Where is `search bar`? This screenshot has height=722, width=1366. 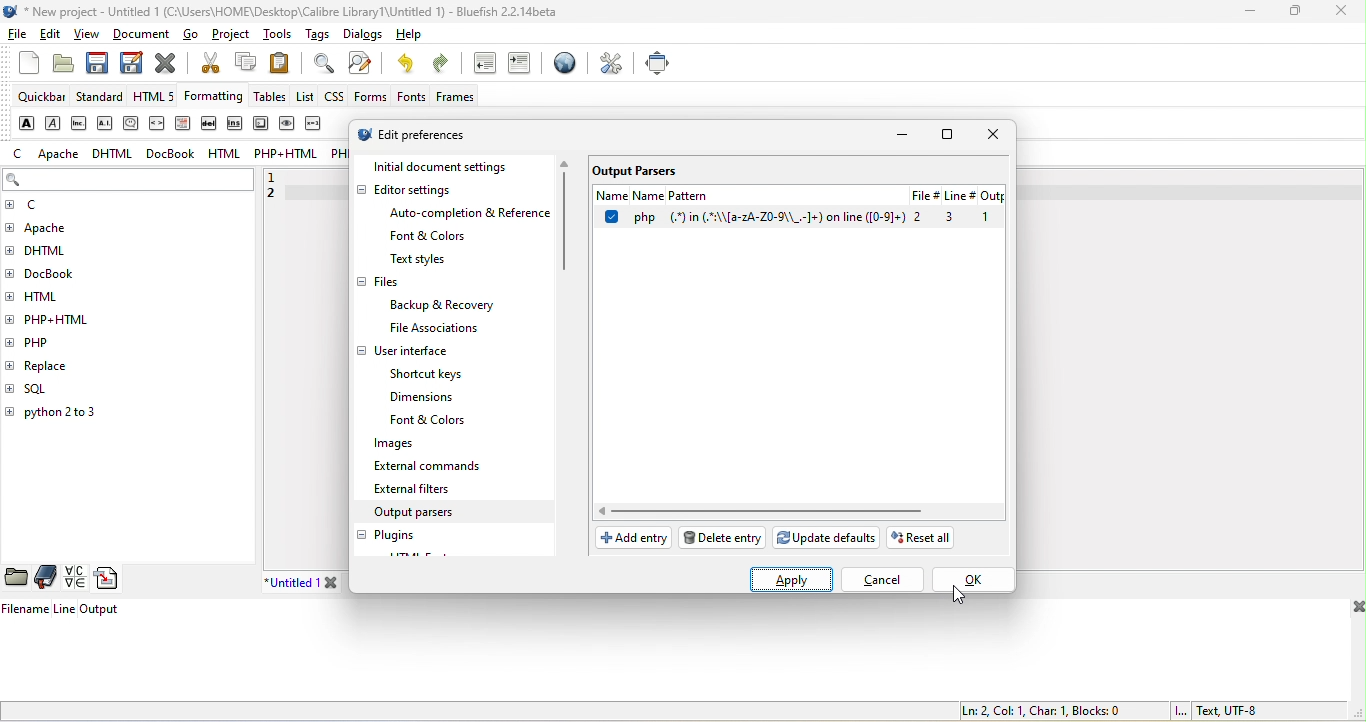
search bar is located at coordinates (128, 181).